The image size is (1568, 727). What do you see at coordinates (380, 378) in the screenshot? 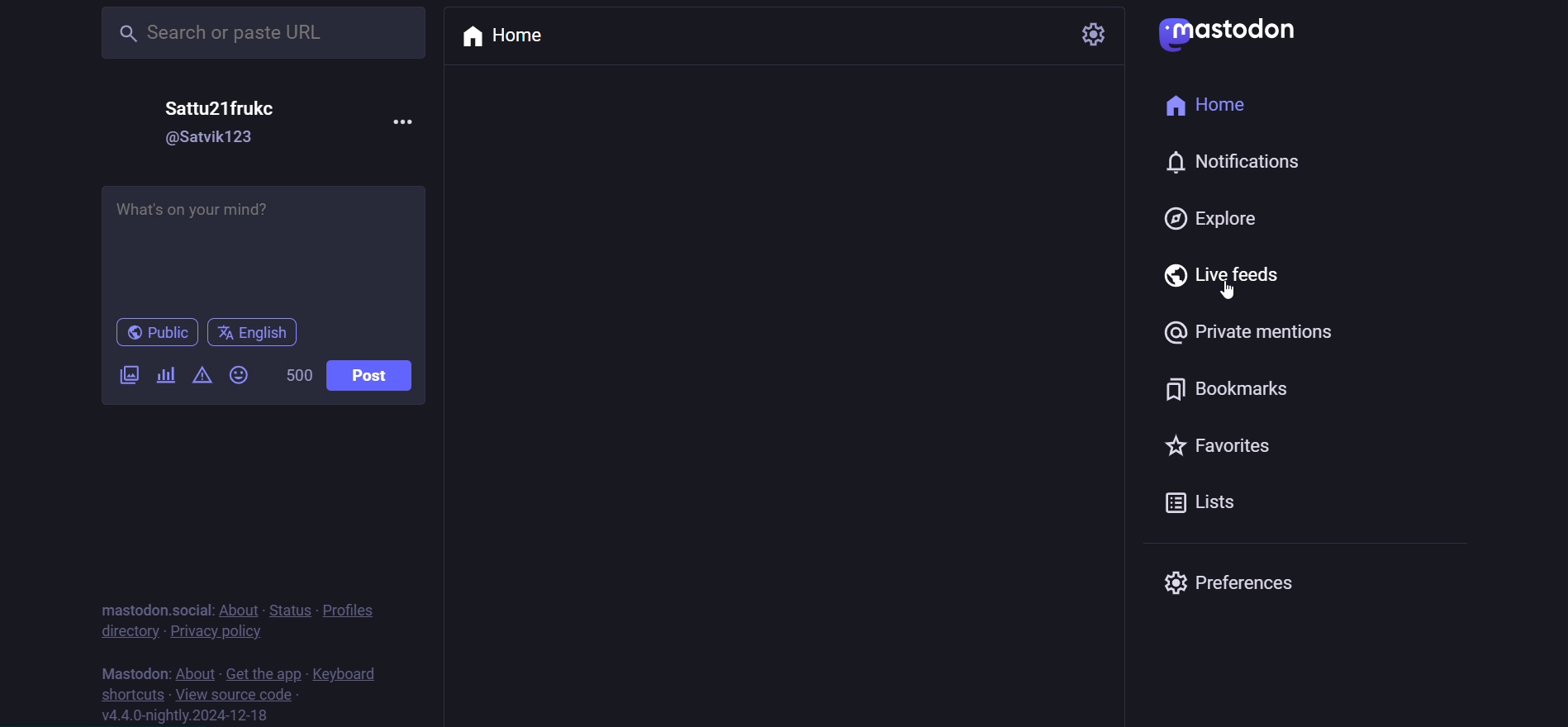
I see `post` at bounding box center [380, 378].